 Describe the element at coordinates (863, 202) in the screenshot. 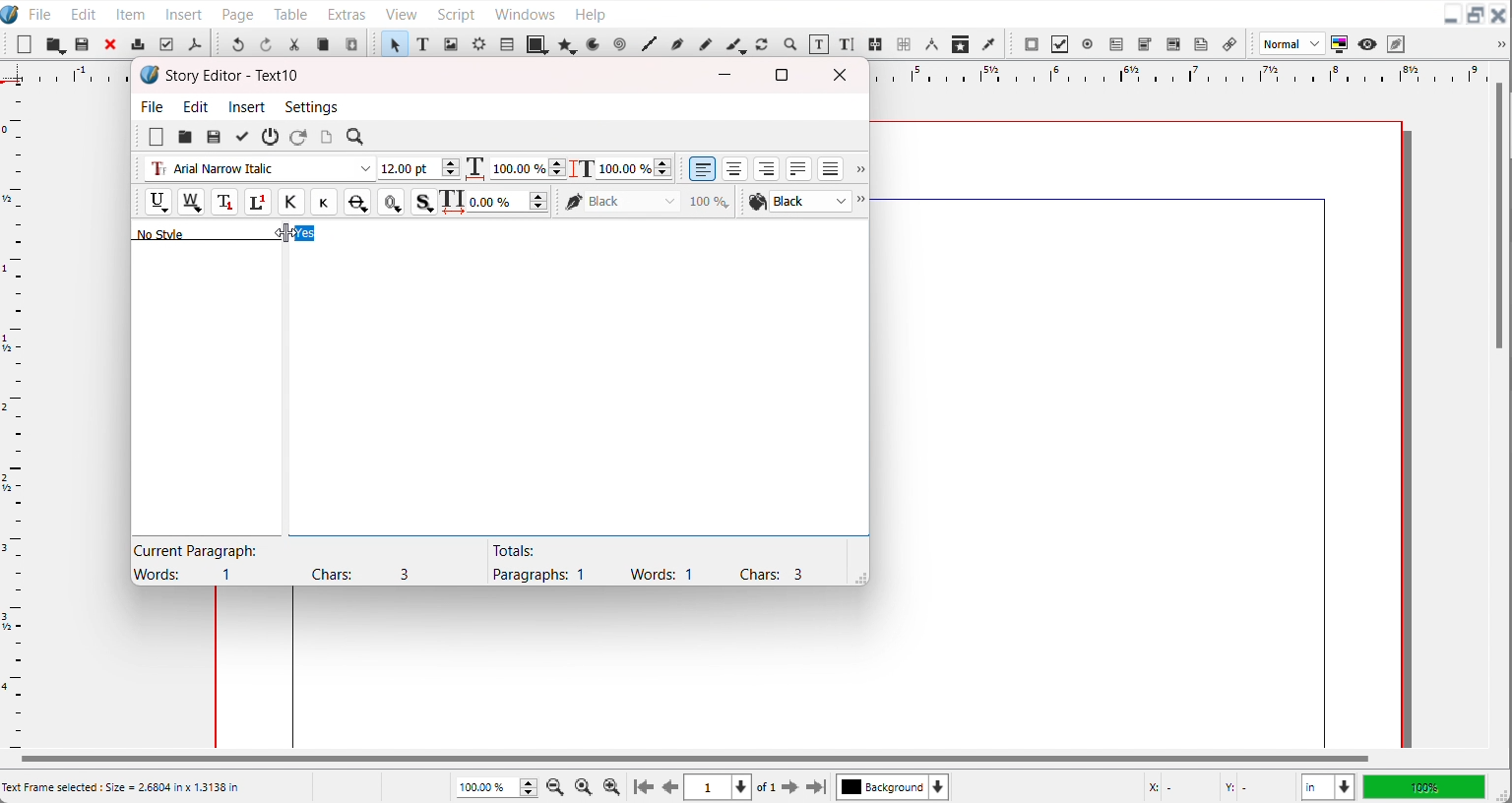

I see `Drop down box` at that location.